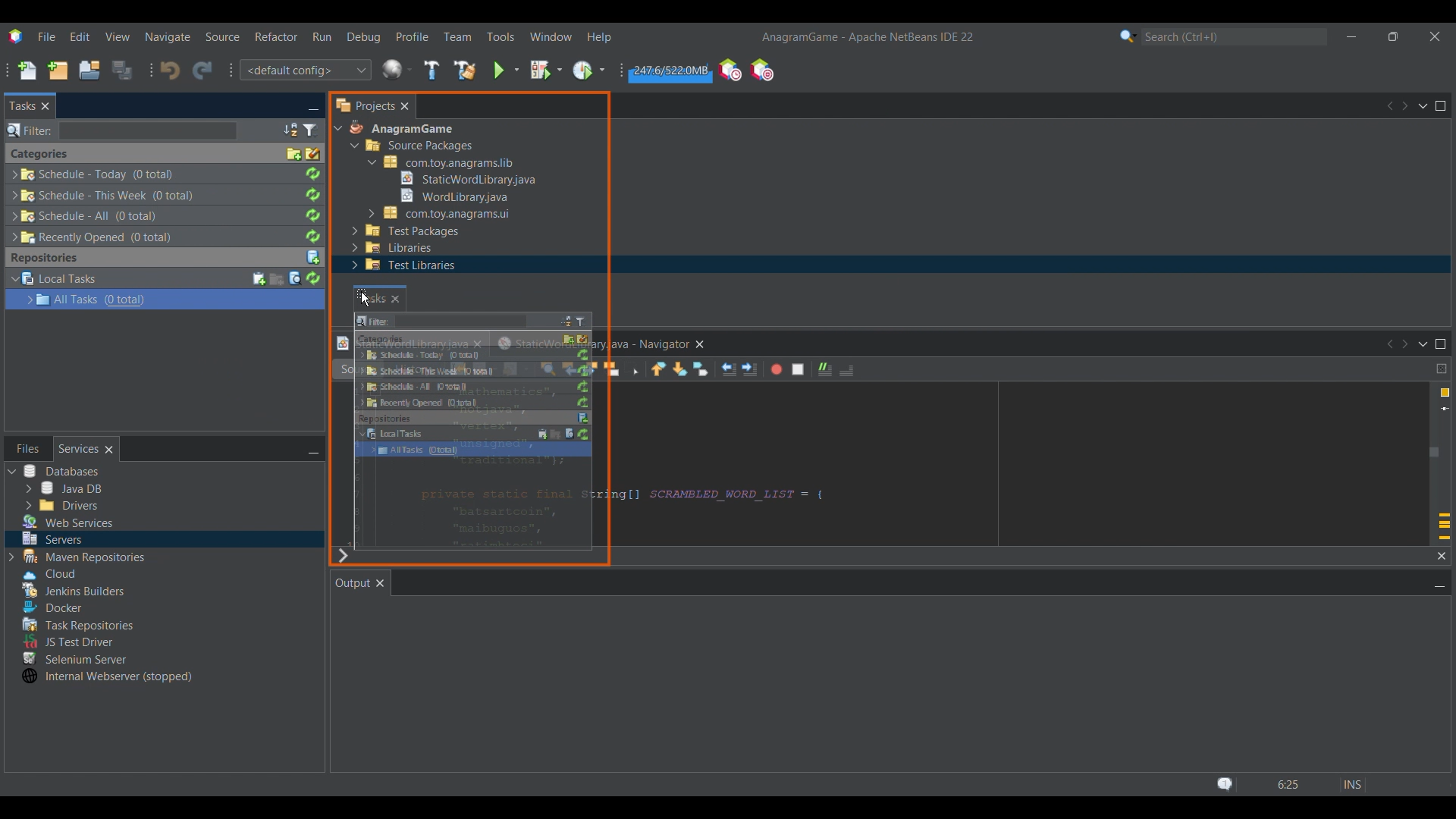 Image resolution: width=1456 pixels, height=819 pixels. Describe the element at coordinates (20, 290) in the screenshot. I see `Expand/Collapse` at that location.